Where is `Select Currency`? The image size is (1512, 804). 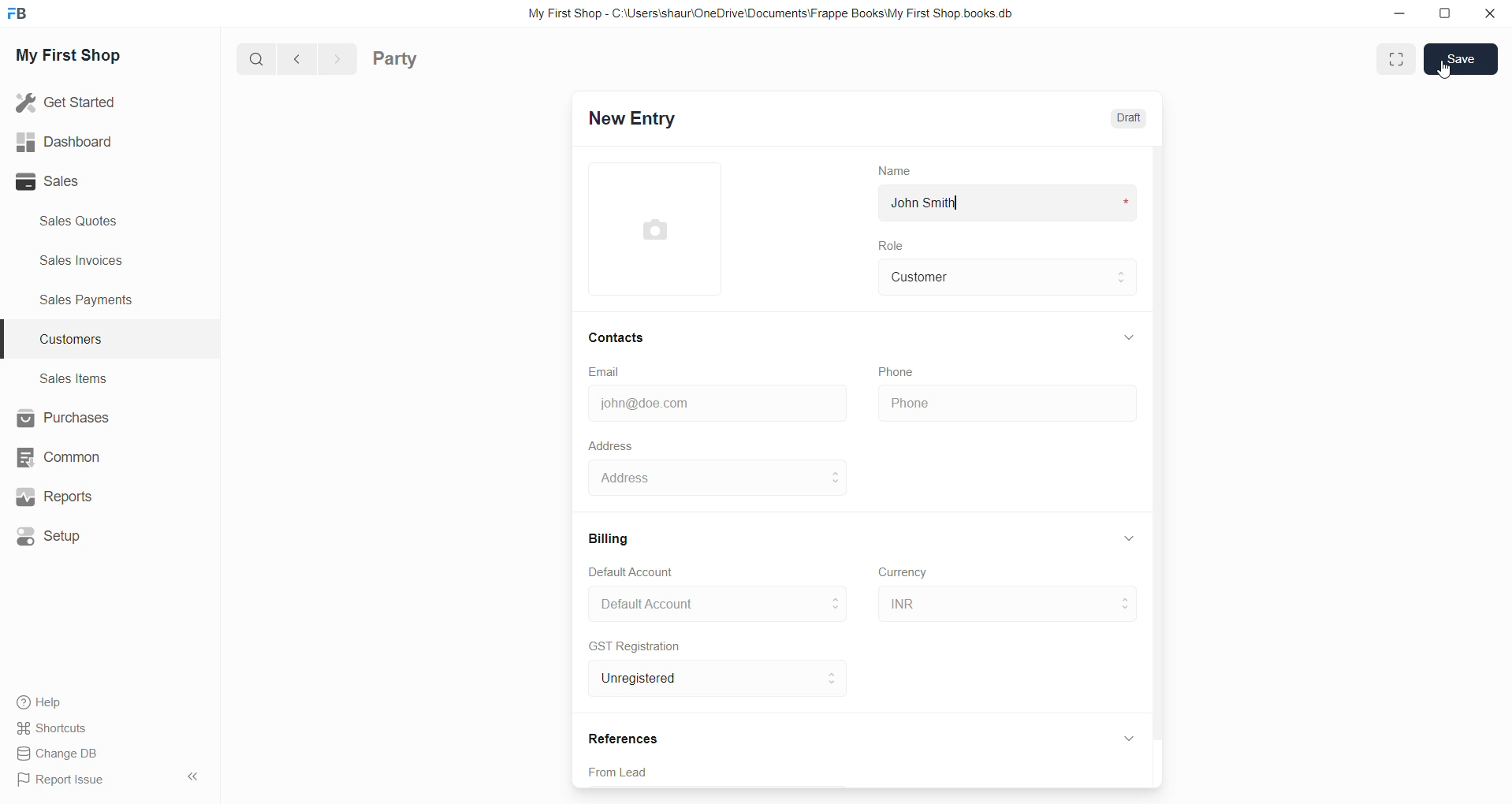
Select Currency is located at coordinates (986, 601).